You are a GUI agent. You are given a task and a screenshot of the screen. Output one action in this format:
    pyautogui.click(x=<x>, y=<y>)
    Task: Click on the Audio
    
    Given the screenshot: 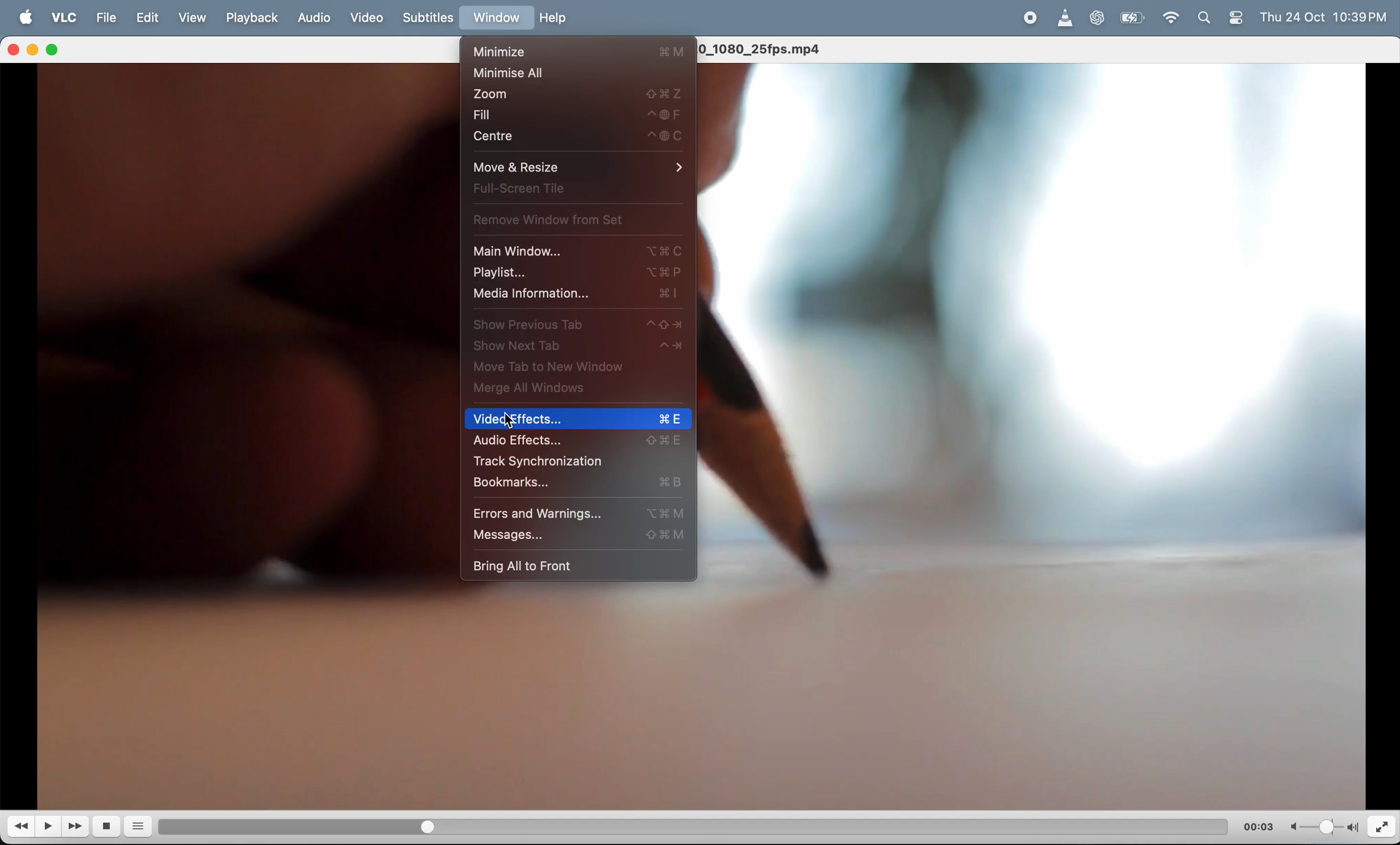 What is the action you would take?
    pyautogui.click(x=315, y=19)
    